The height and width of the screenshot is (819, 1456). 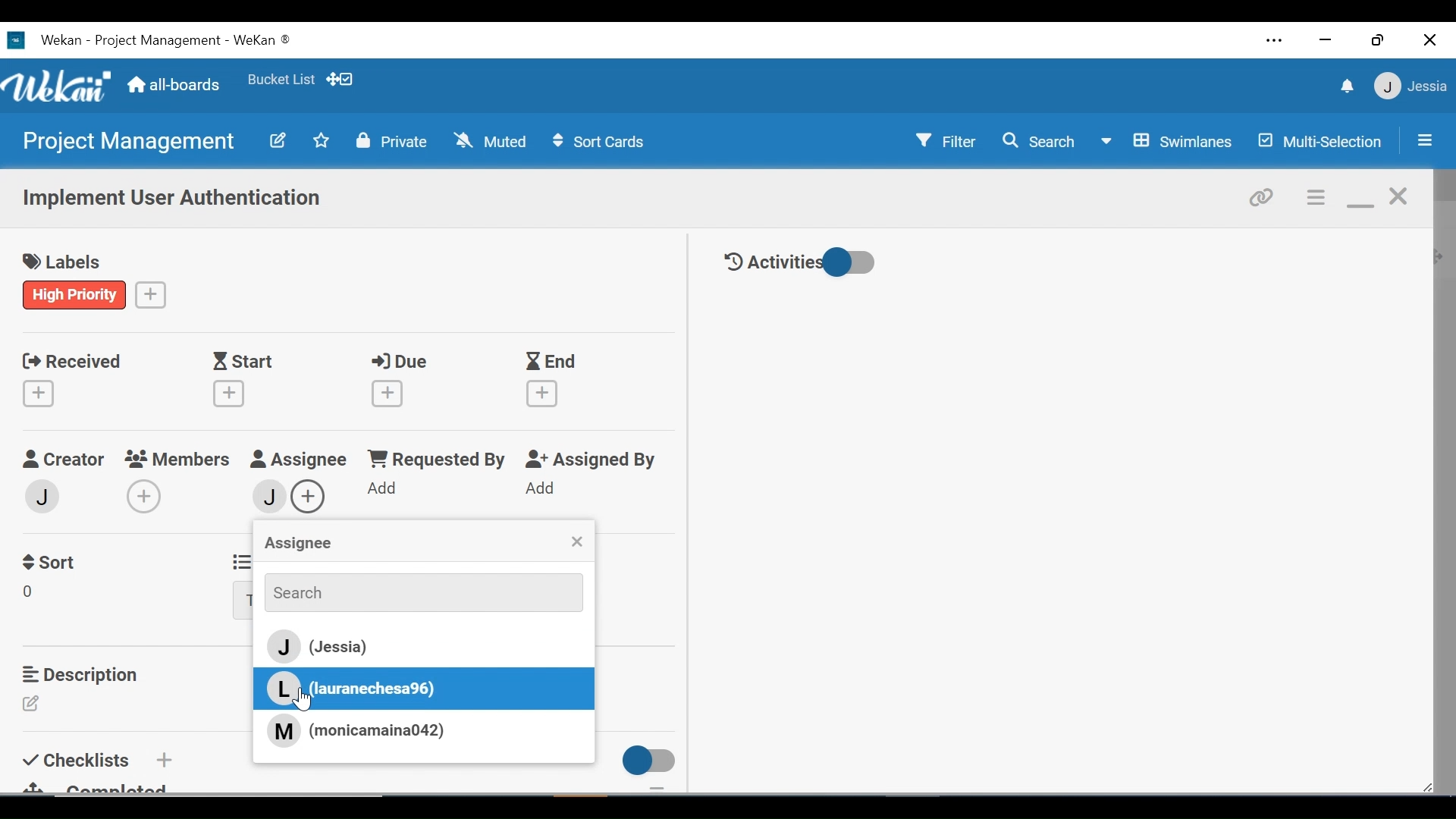 What do you see at coordinates (179, 458) in the screenshot?
I see `Members` at bounding box center [179, 458].